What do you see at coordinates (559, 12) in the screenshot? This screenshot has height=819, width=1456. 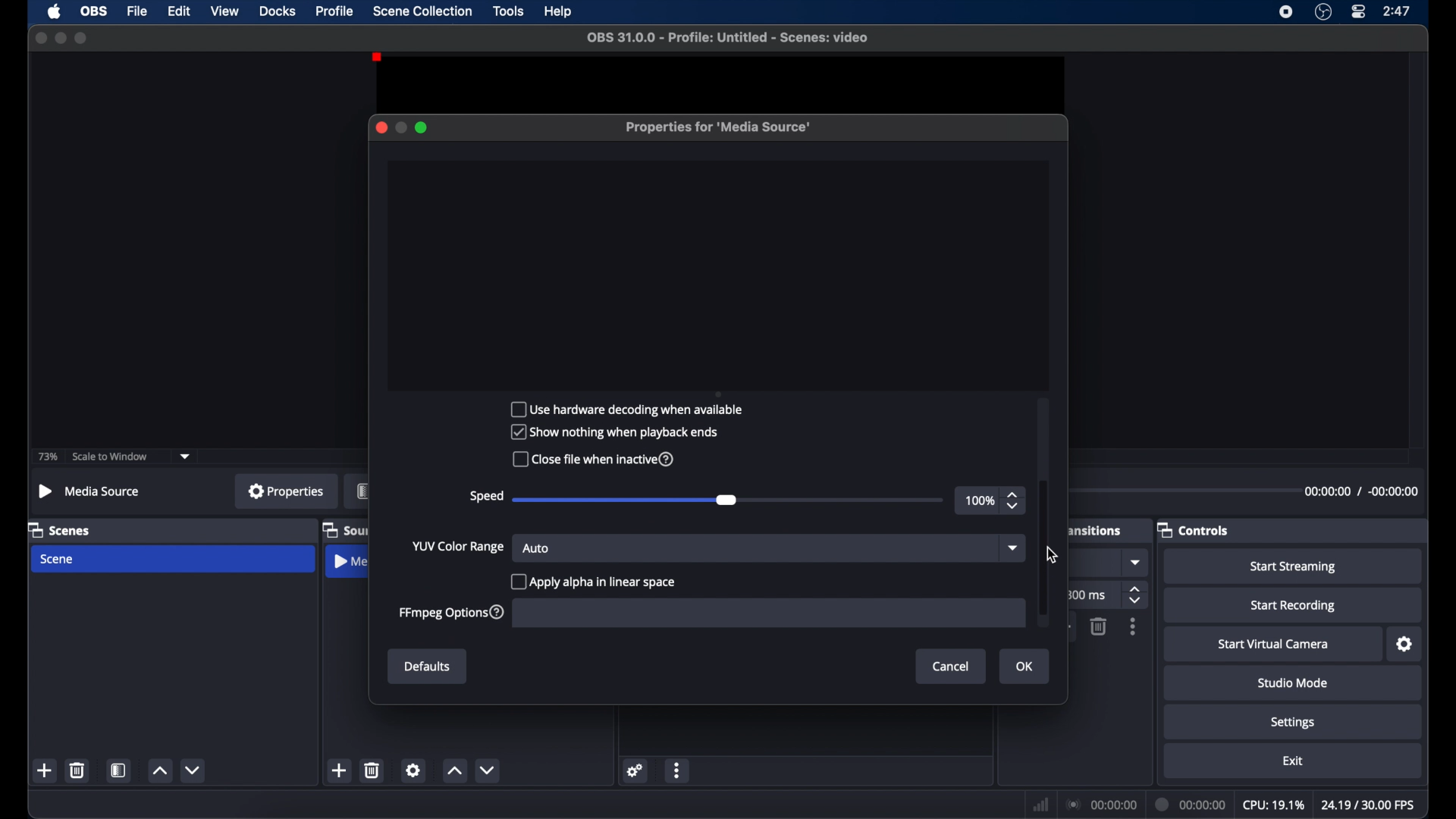 I see `help` at bounding box center [559, 12].